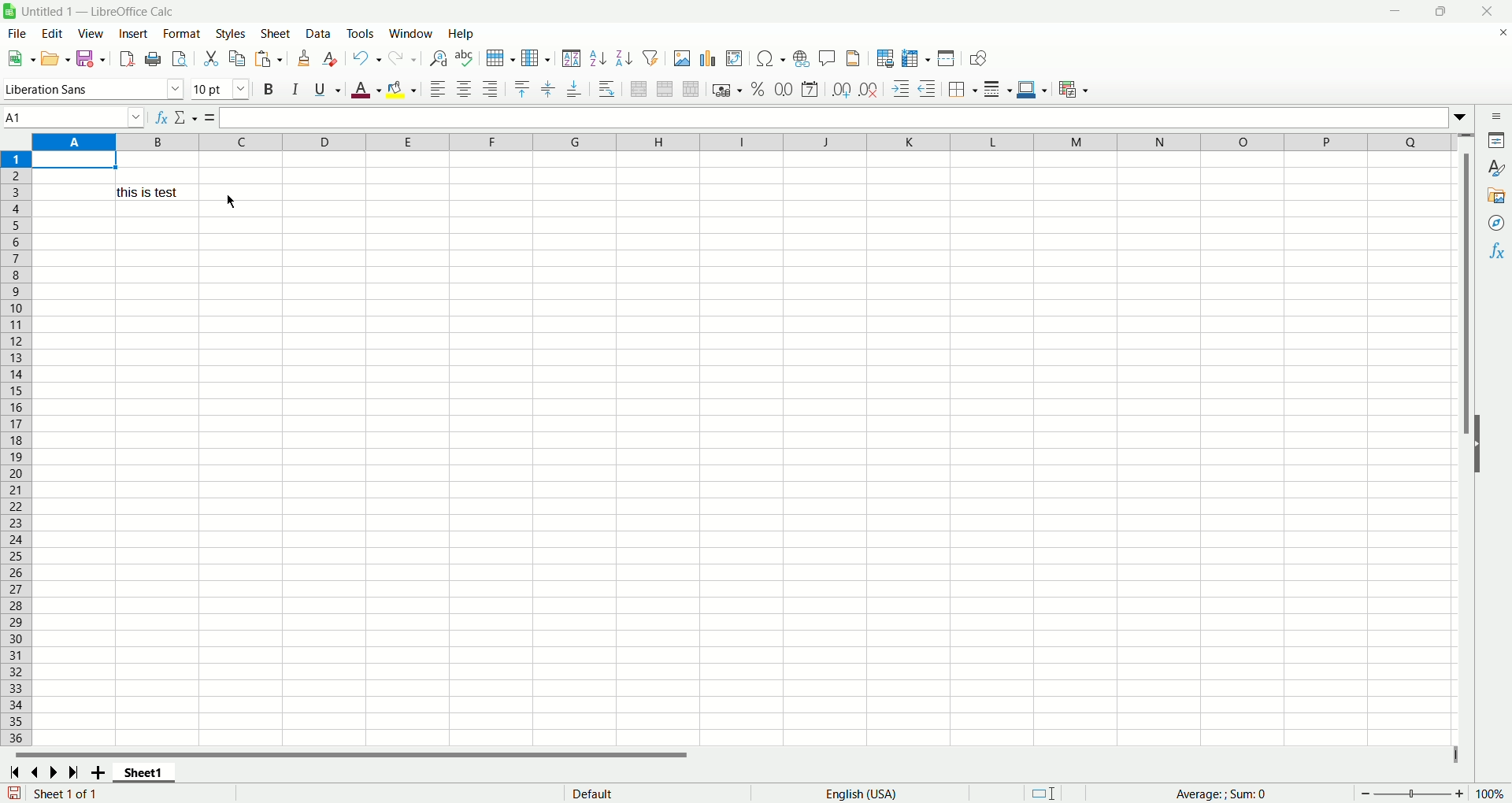 Image resolution: width=1512 pixels, height=803 pixels. I want to click on sheet, so click(277, 35).